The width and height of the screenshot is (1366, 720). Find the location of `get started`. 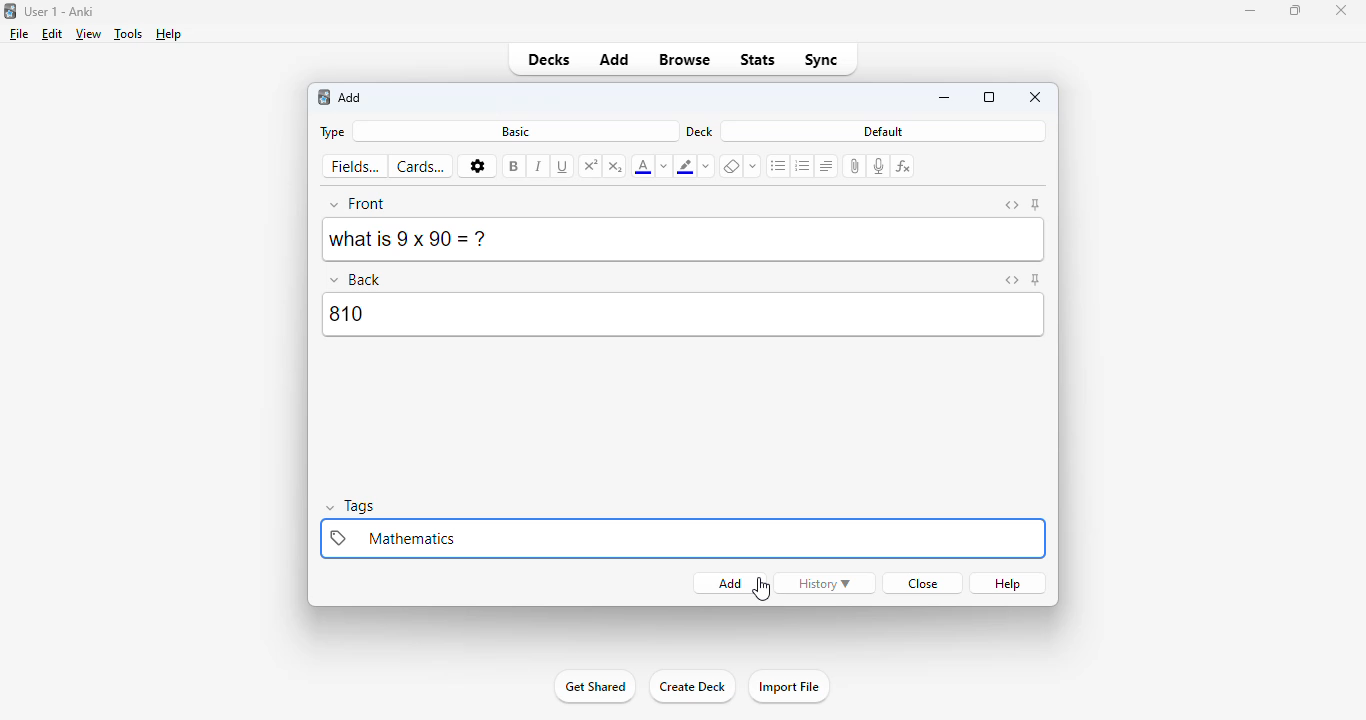

get started is located at coordinates (595, 686).